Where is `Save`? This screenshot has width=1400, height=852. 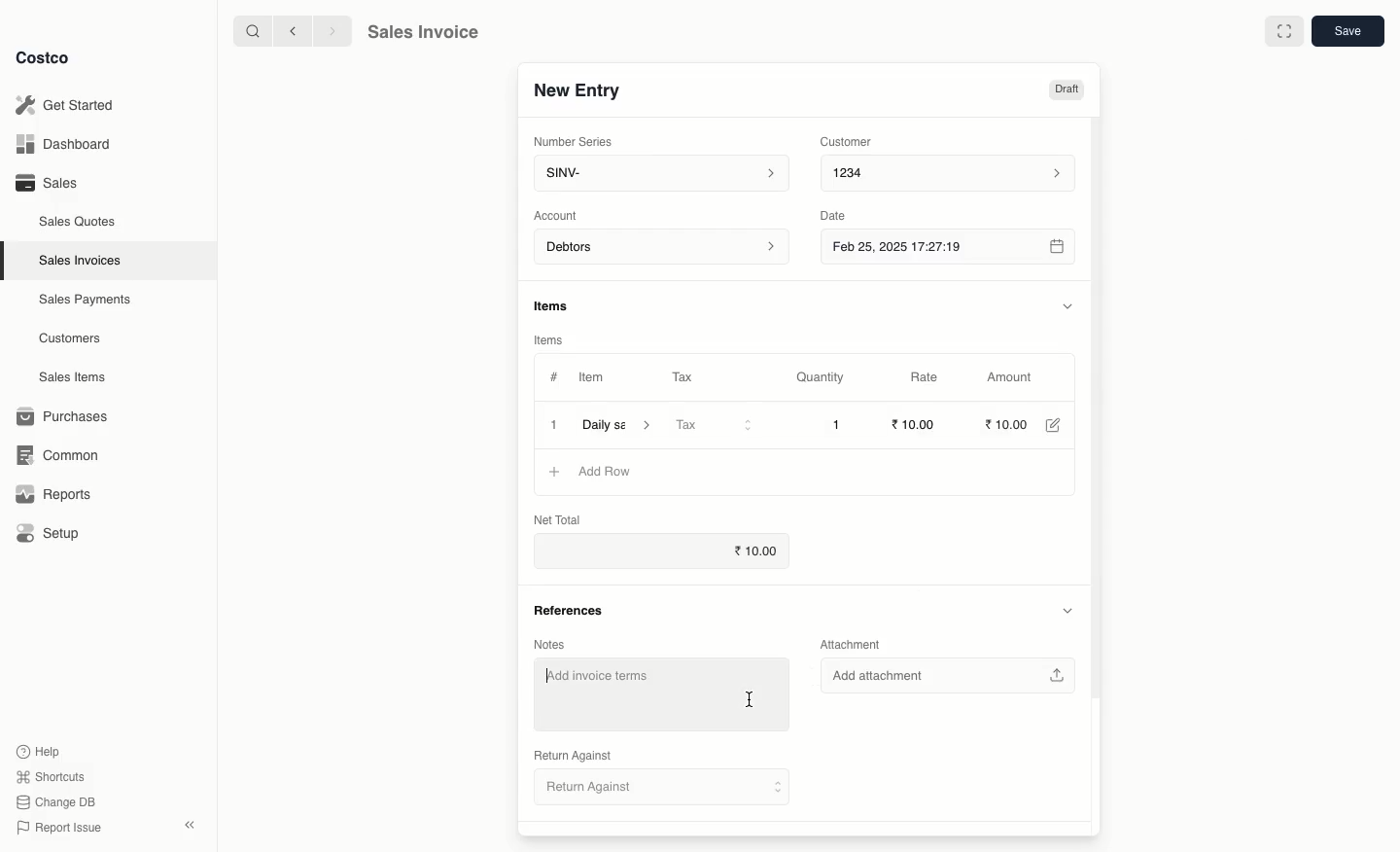
Save is located at coordinates (1348, 31).